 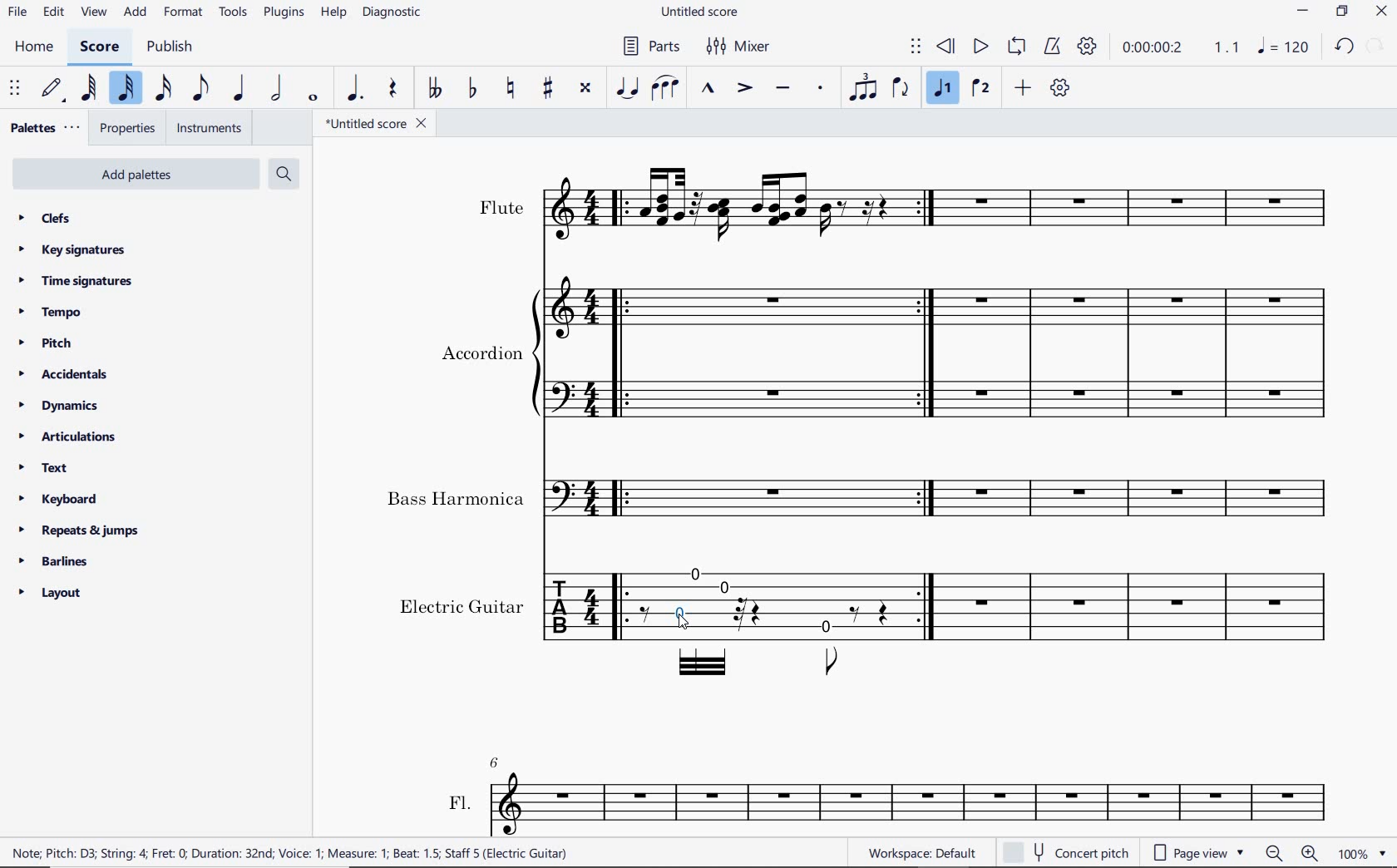 What do you see at coordinates (16, 89) in the screenshot?
I see `select to move` at bounding box center [16, 89].